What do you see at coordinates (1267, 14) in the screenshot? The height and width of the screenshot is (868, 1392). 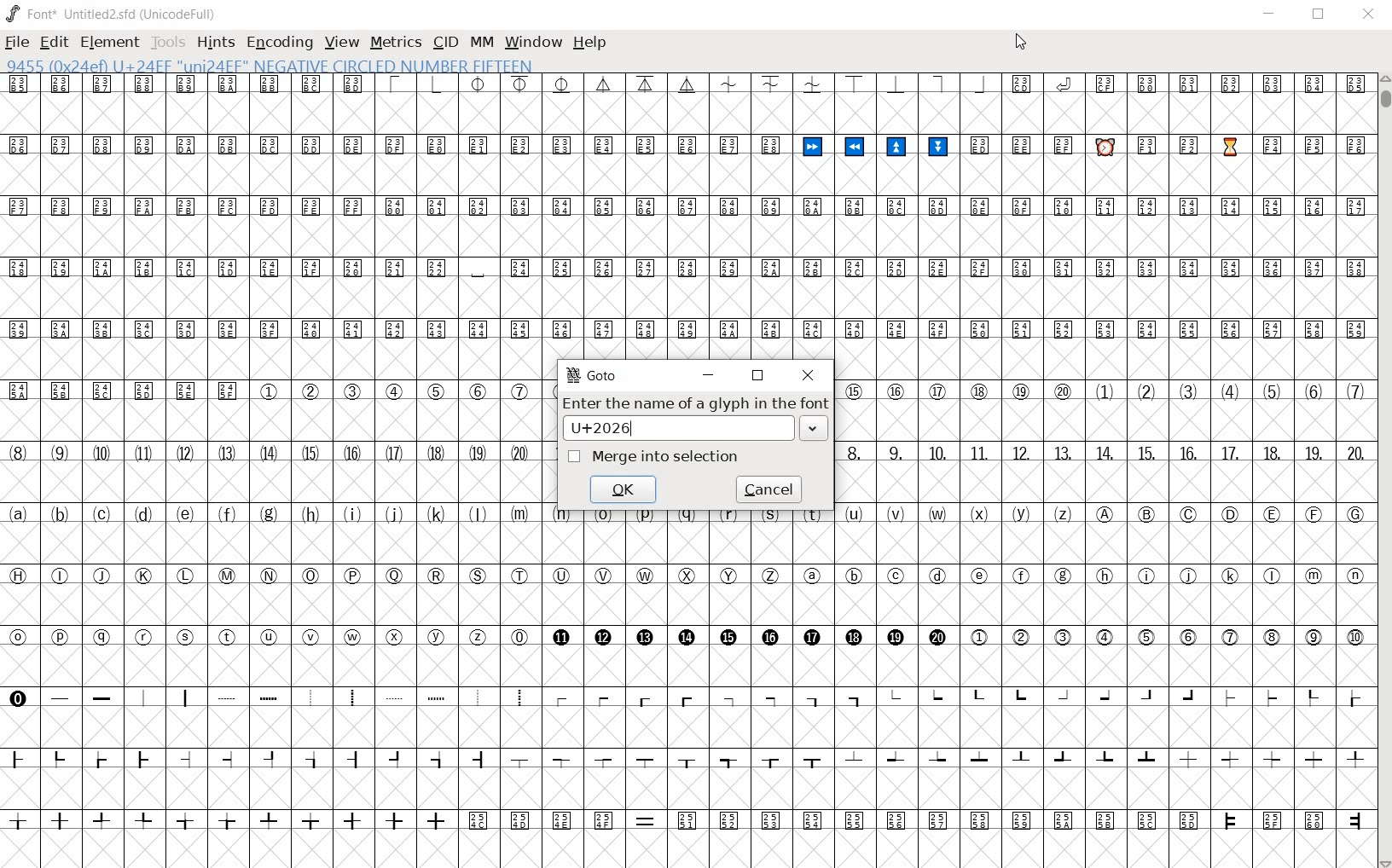 I see `MINIMIZE` at bounding box center [1267, 14].